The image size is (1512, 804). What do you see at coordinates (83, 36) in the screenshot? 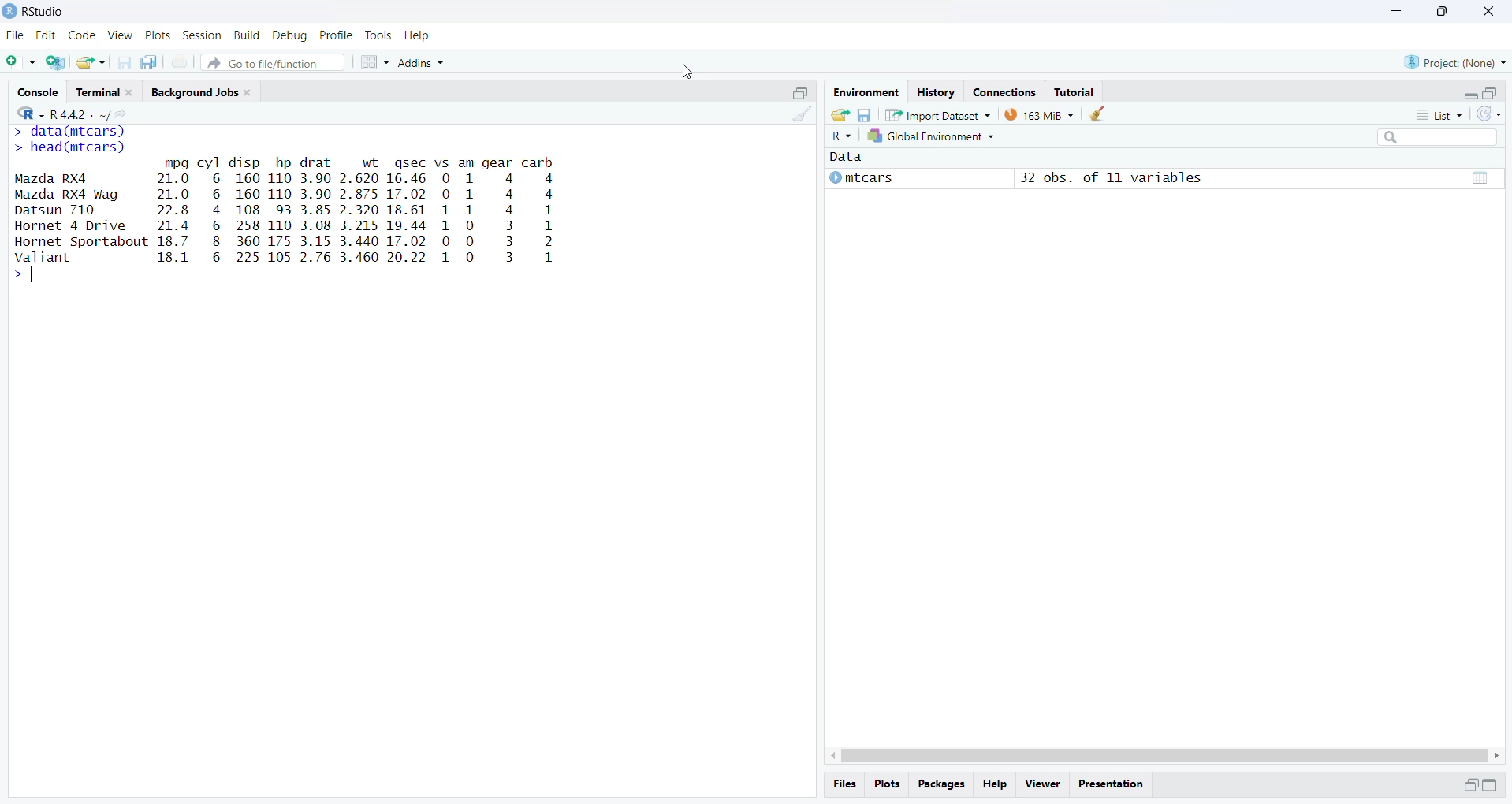
I see `code` at bounding box center [83, 36].